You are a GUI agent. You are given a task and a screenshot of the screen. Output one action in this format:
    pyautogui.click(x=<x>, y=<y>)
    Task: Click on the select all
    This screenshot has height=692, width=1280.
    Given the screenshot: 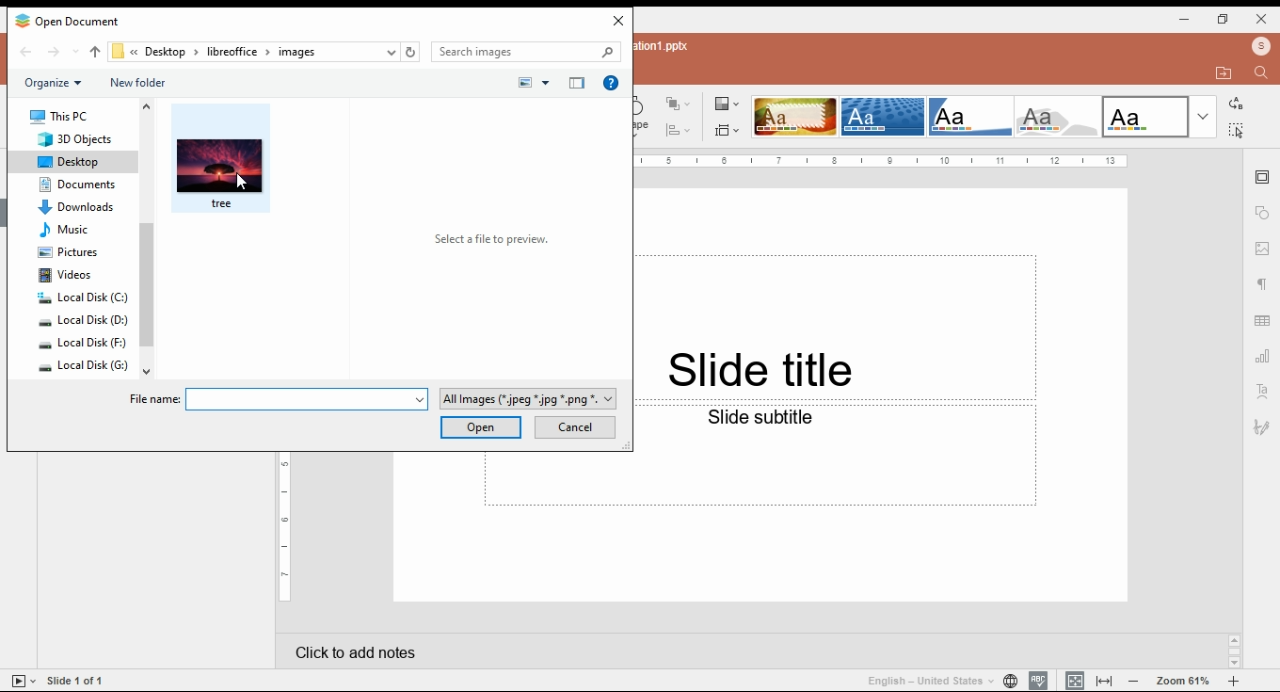 What is the action you would take?
    pyautogui.click(x=1235, y=129)
    